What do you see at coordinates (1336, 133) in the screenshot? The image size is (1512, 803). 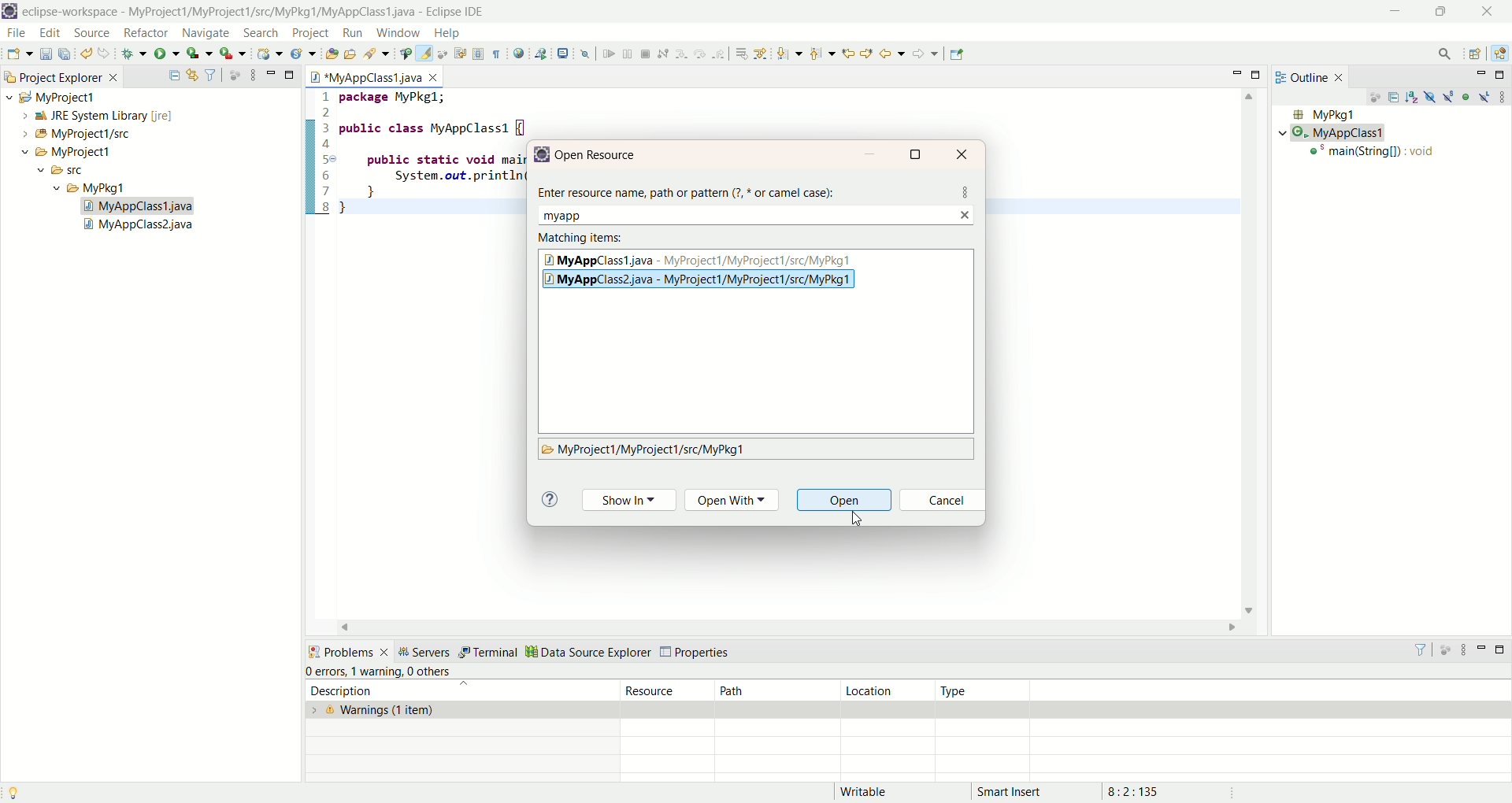 I see `myappclass1` at bounding box center [1336, 133].